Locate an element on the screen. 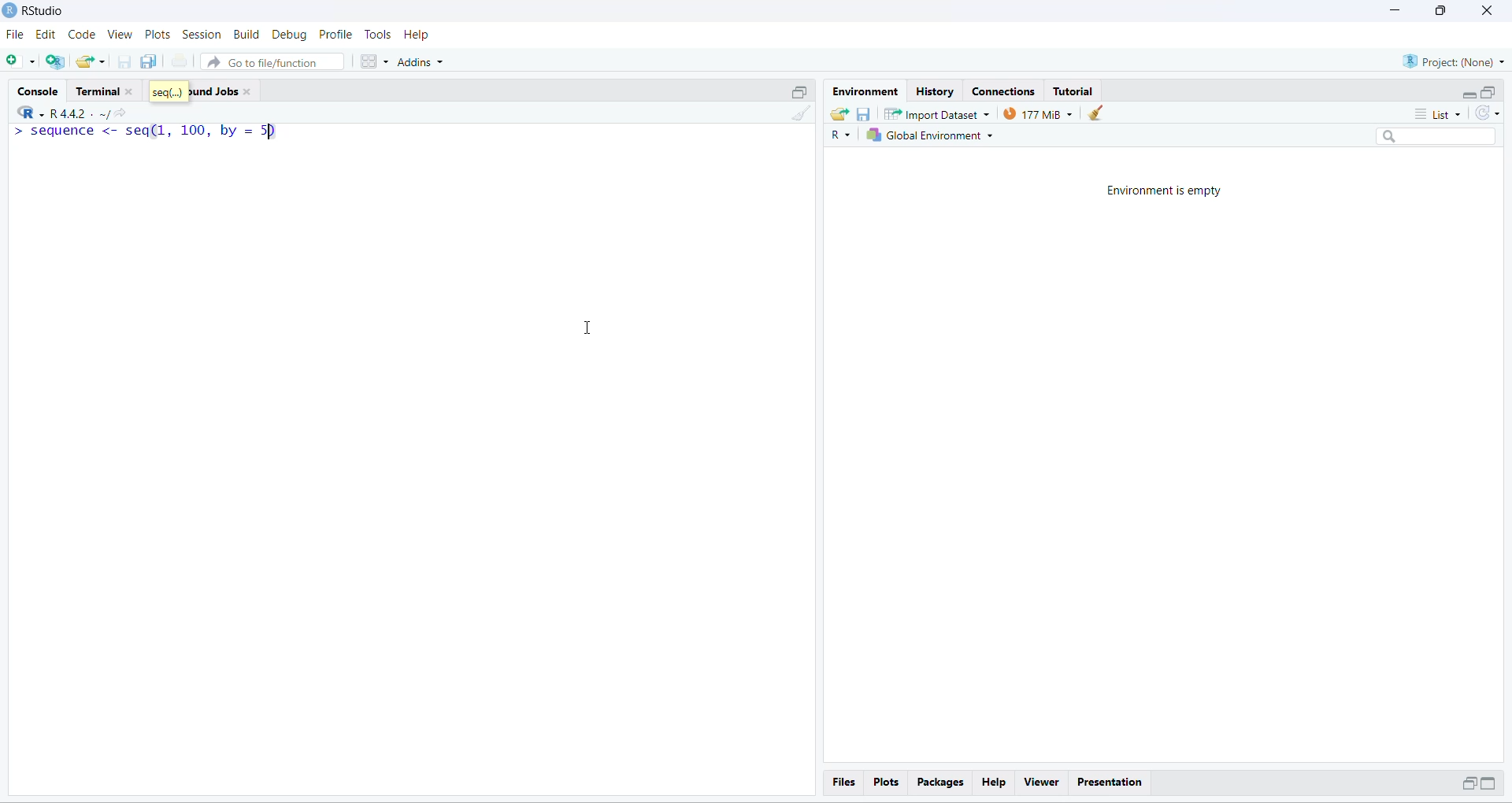 Image resolution: width=1512 pixels, height=803 pixels. close is located at coordinates (247, 92).